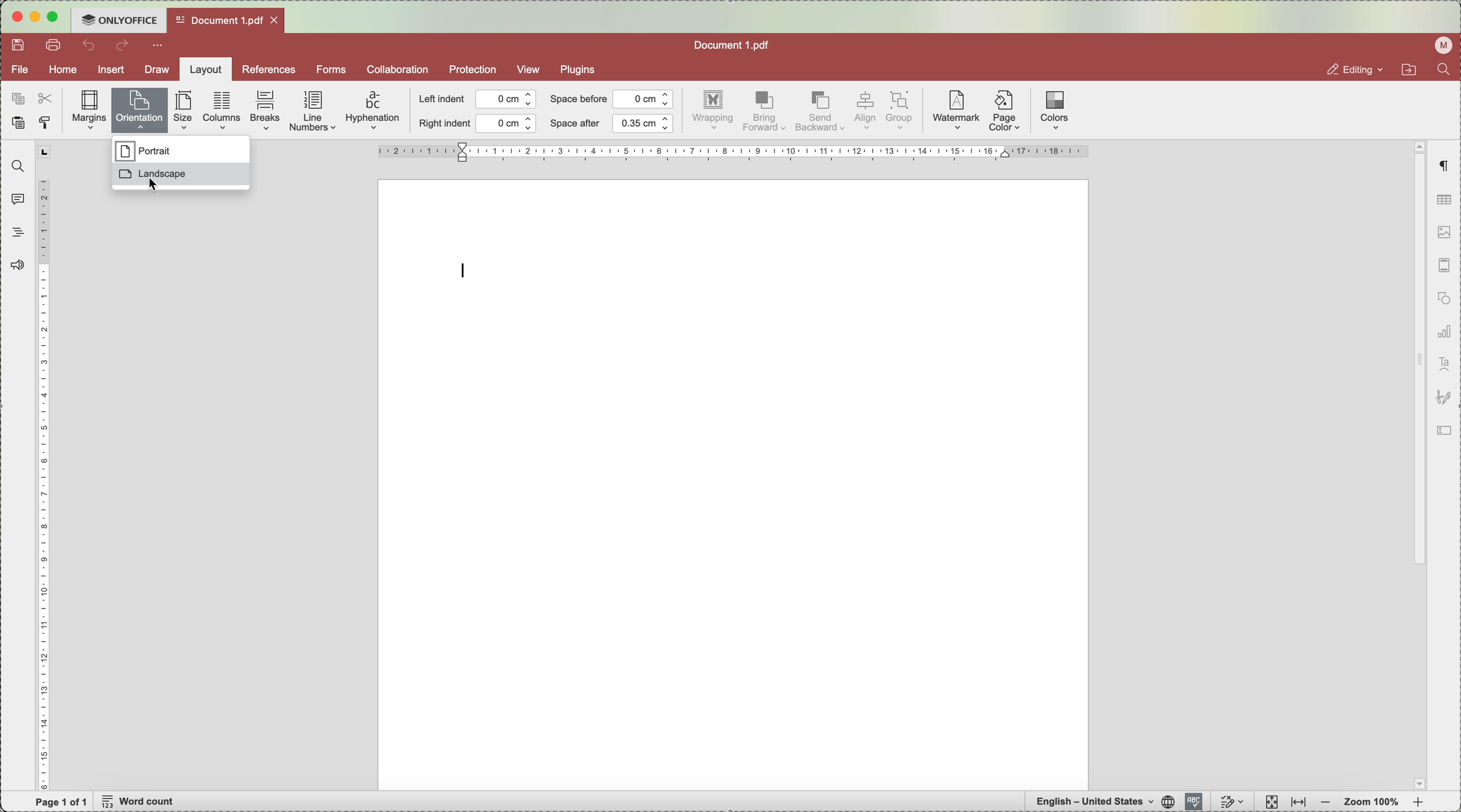 This screenshot has width=1461, height=812. I want to click on cut, so click(48, 97).